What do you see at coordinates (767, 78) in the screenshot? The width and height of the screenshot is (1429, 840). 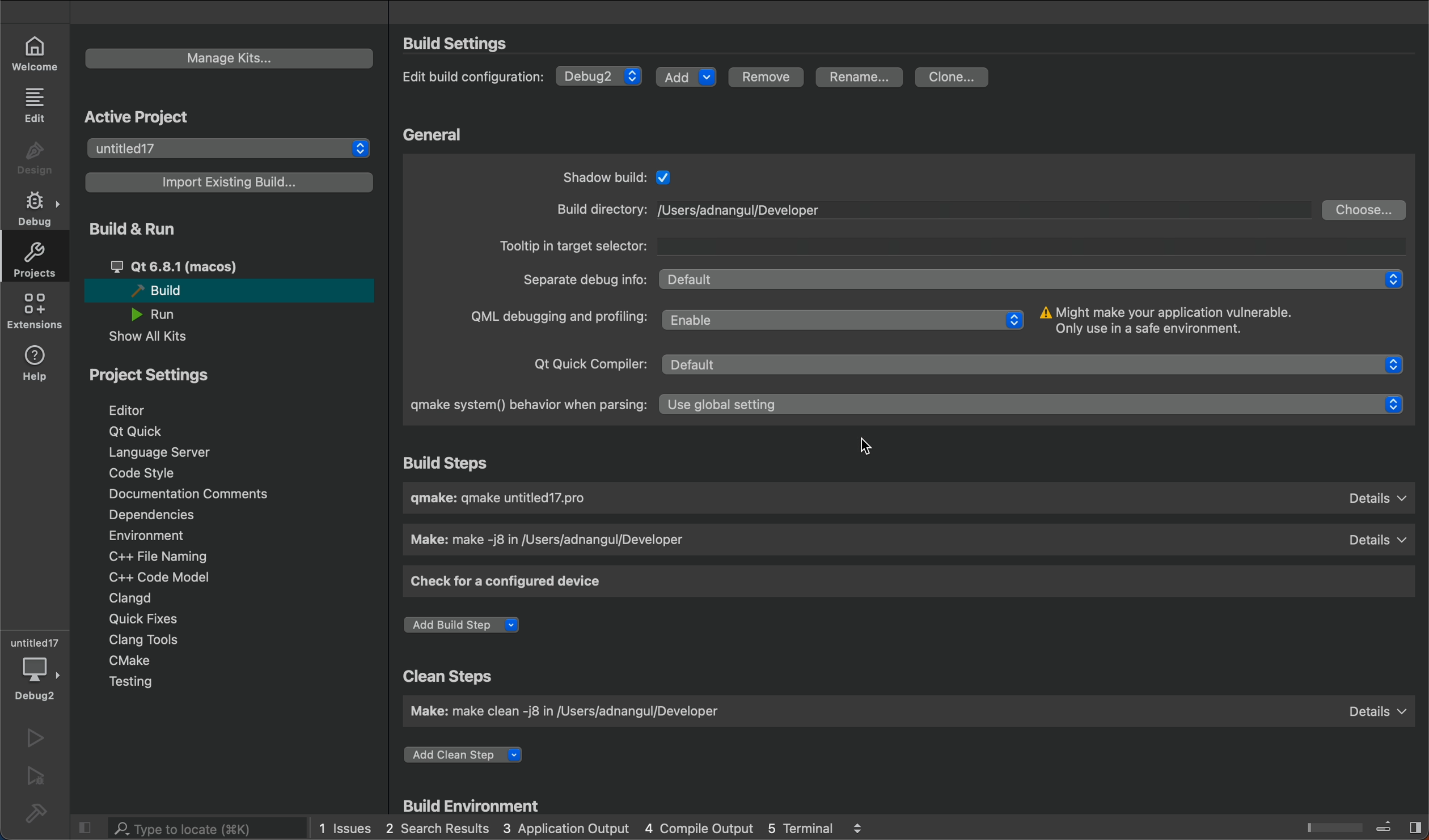 I see `remove` at bounding box center [767, 78].